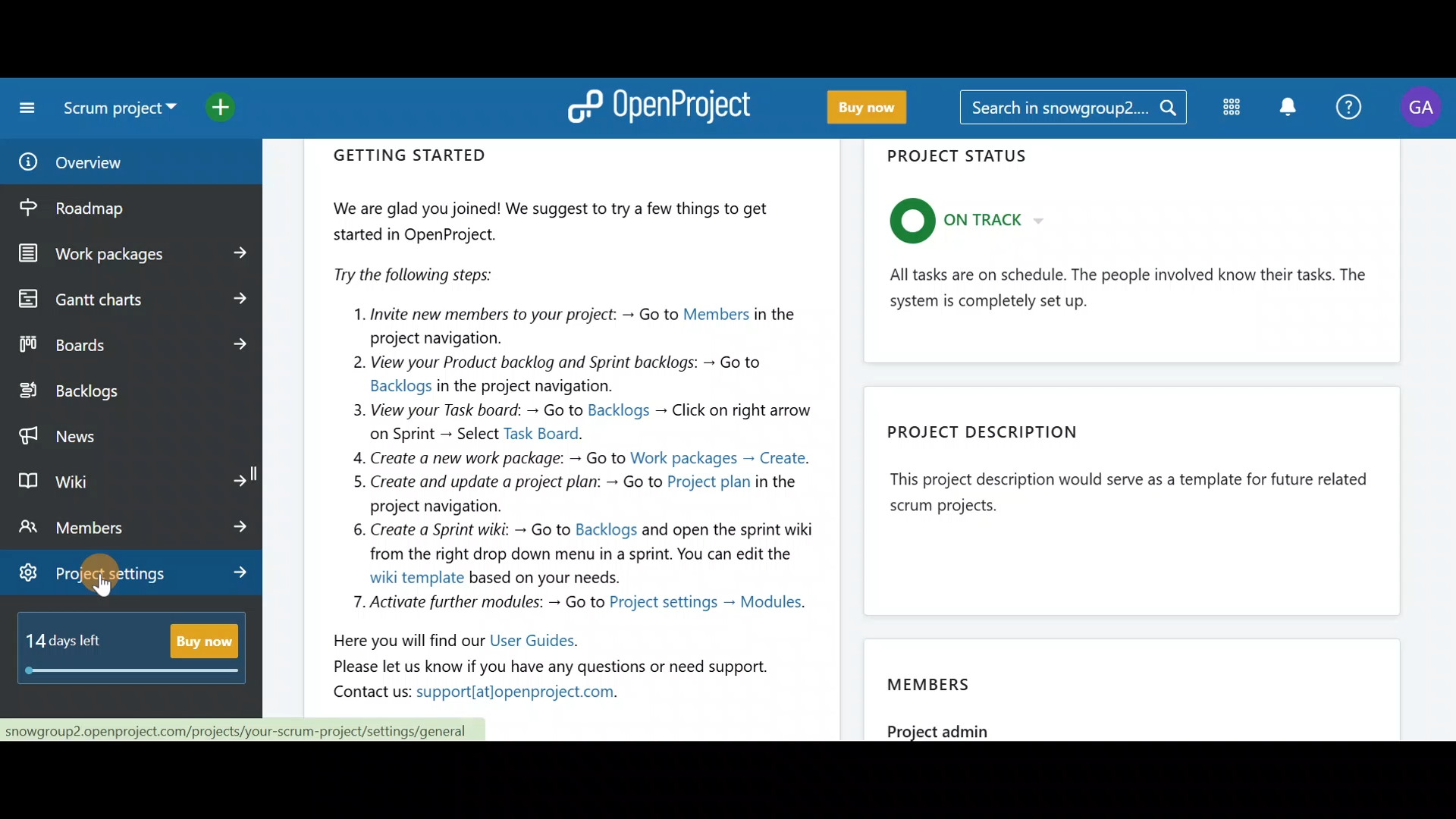  I want to click on Buy now, so click(877, 108).